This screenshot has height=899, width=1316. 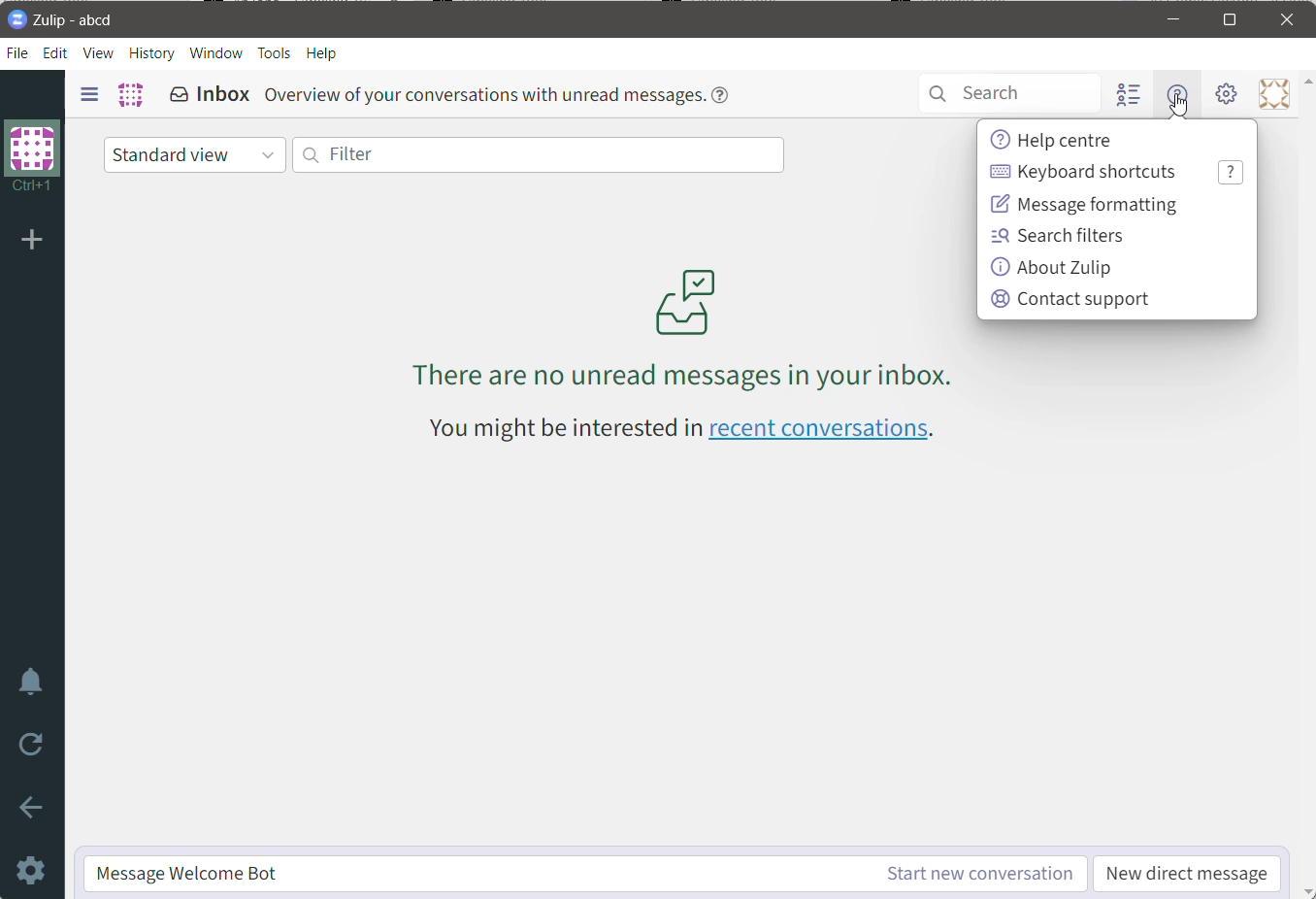 I want to click on Application Logo And Name - Organization Name, so click(x=66, y=20).